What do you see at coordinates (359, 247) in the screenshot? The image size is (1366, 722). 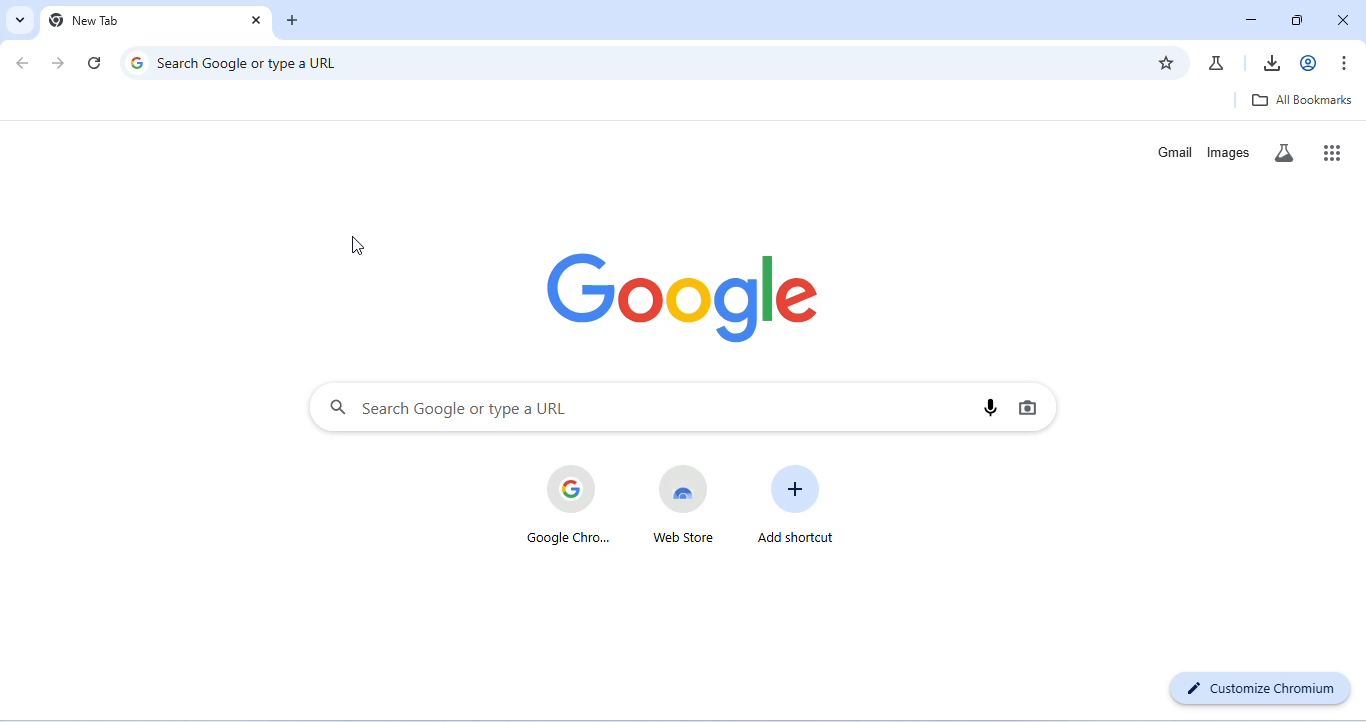 I see `cursor` at bounding box center [359, 247].